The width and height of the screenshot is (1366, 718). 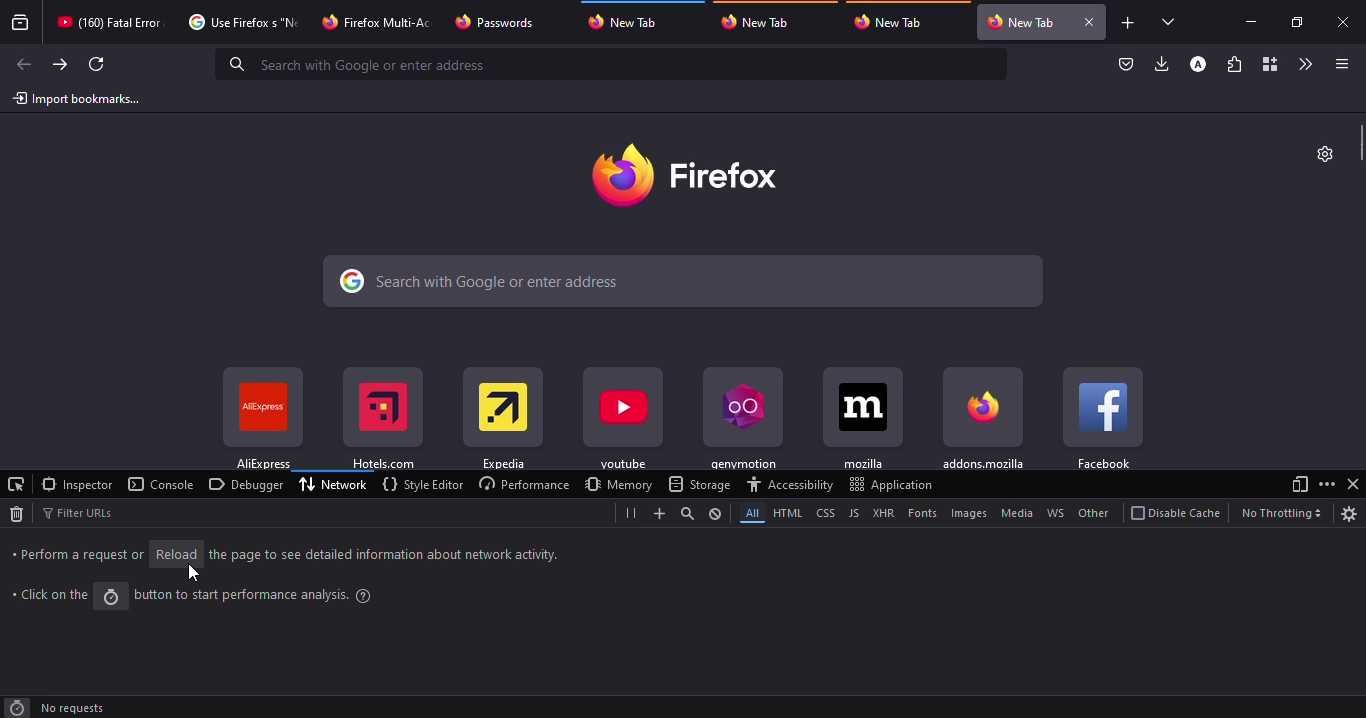 I want to click on shortcuts, so click(x=624, y=420).